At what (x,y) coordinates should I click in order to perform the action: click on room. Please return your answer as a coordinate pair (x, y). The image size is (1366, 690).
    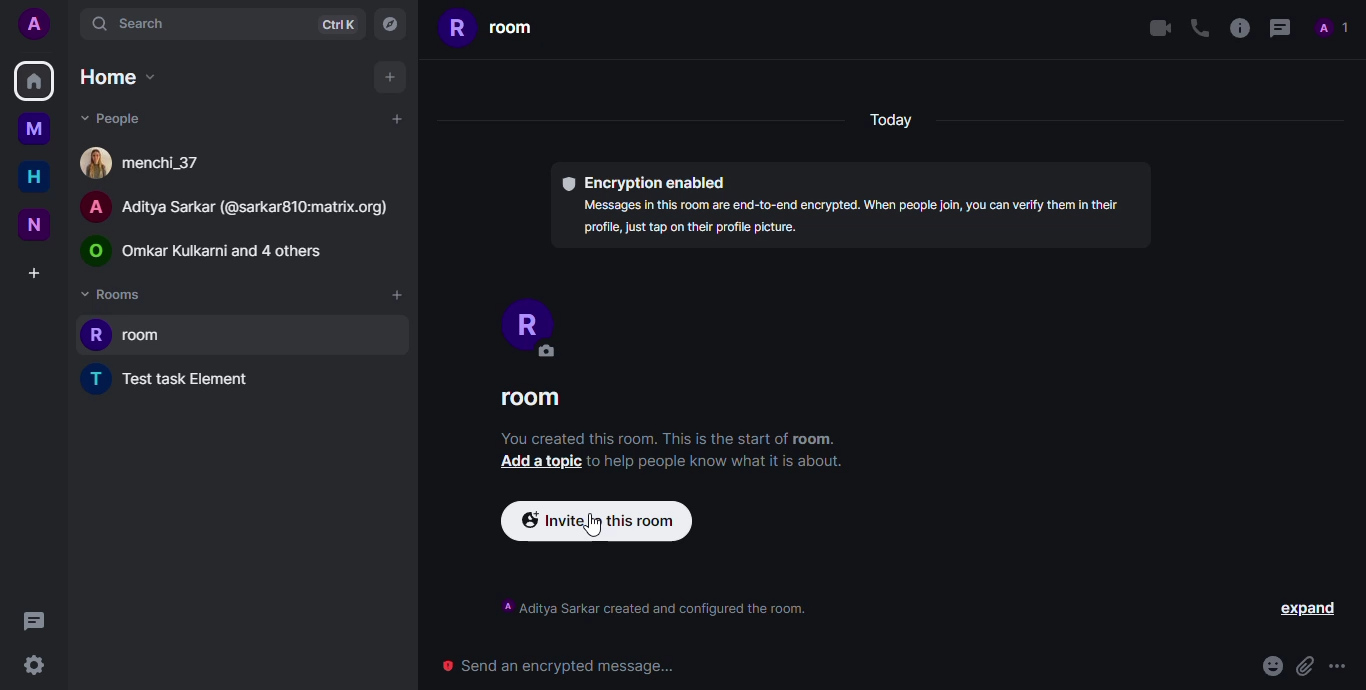
    Looking at the image, I should click on (531, 398).